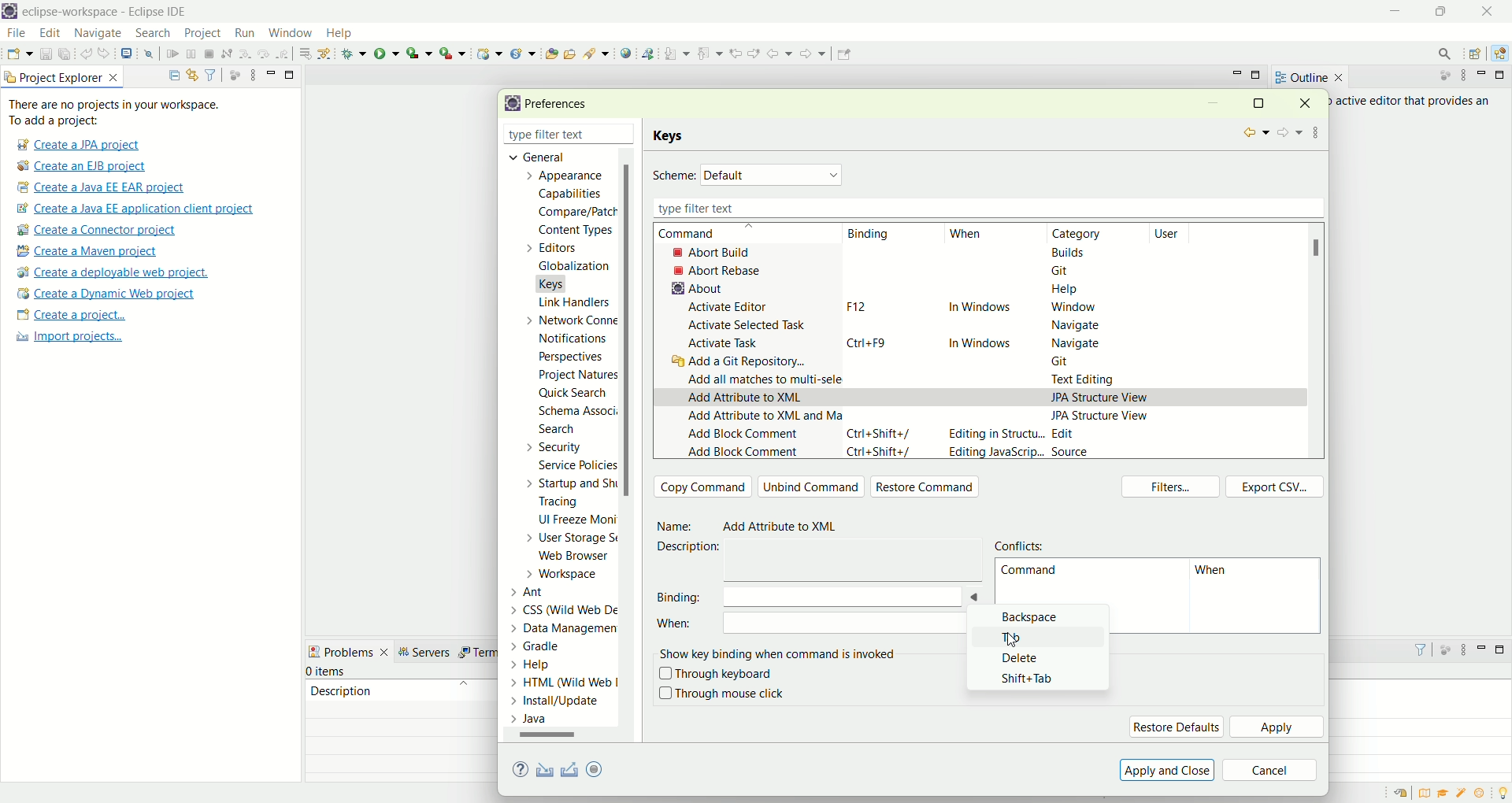  I want to click on close, so click(1310, 102).